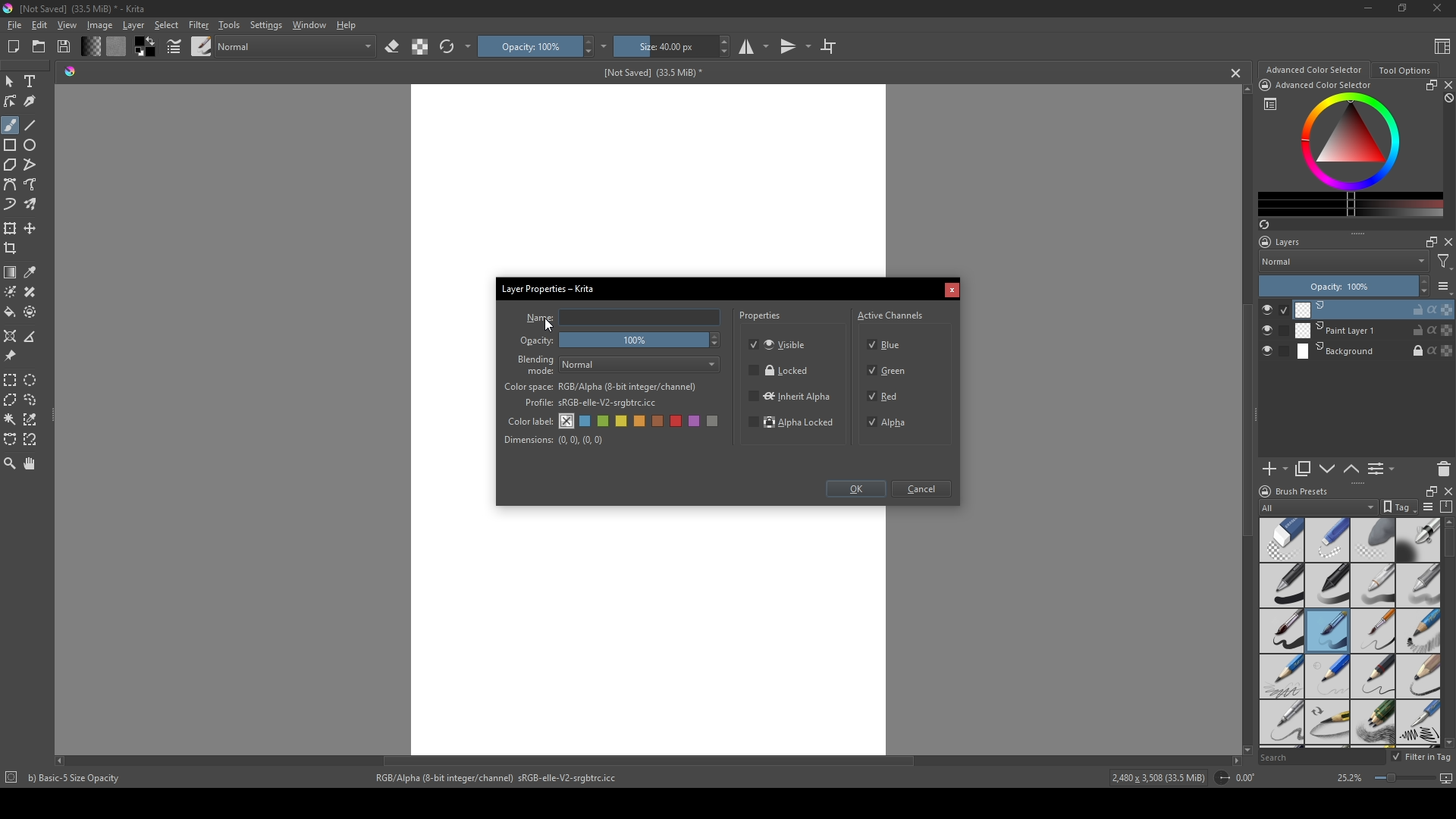 This screenshot has width=1456, height=819. I want to click on lasso, so click(32, 400).